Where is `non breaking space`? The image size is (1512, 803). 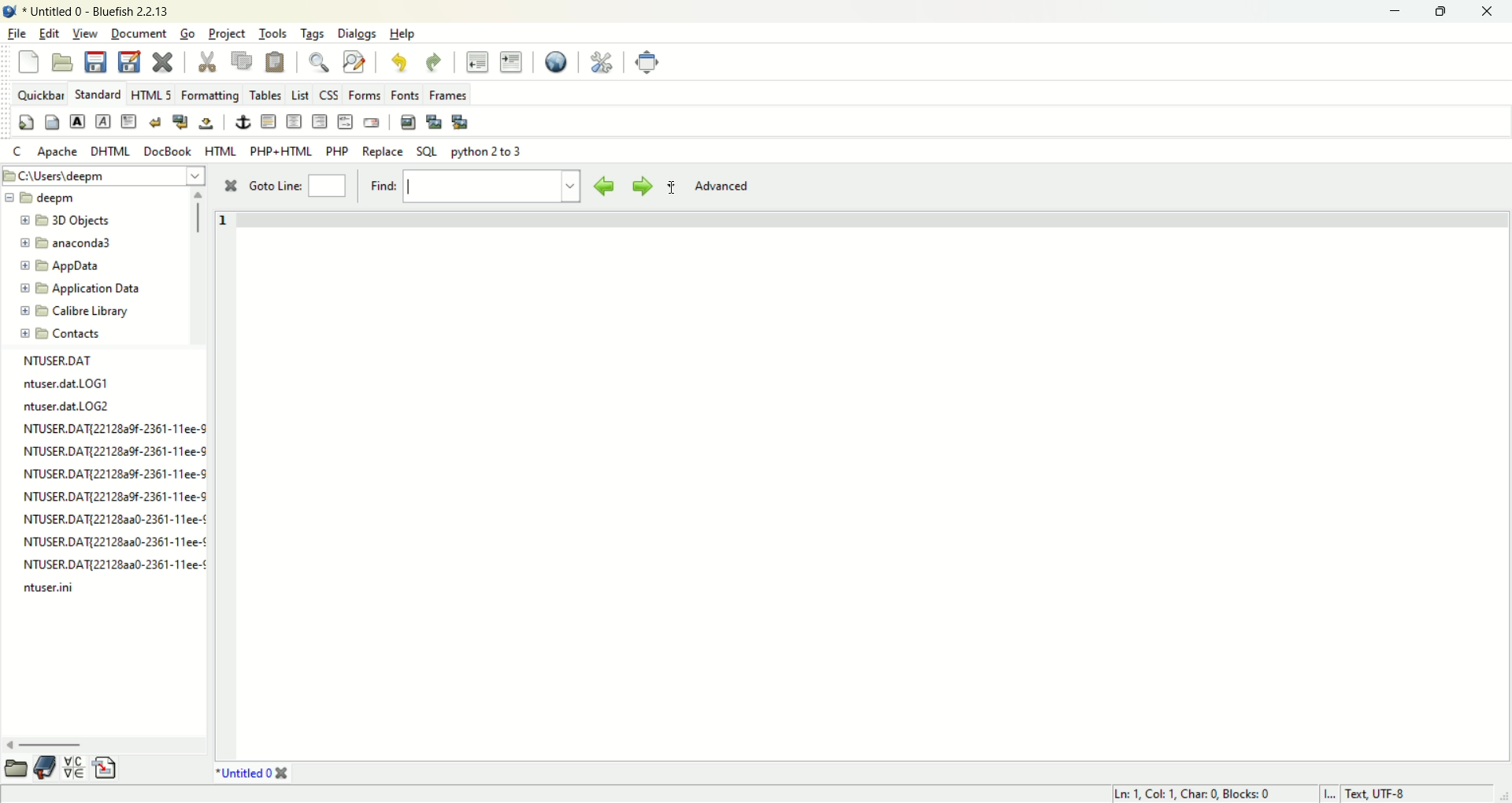 non breaking space is located at coordinates (206, 124).